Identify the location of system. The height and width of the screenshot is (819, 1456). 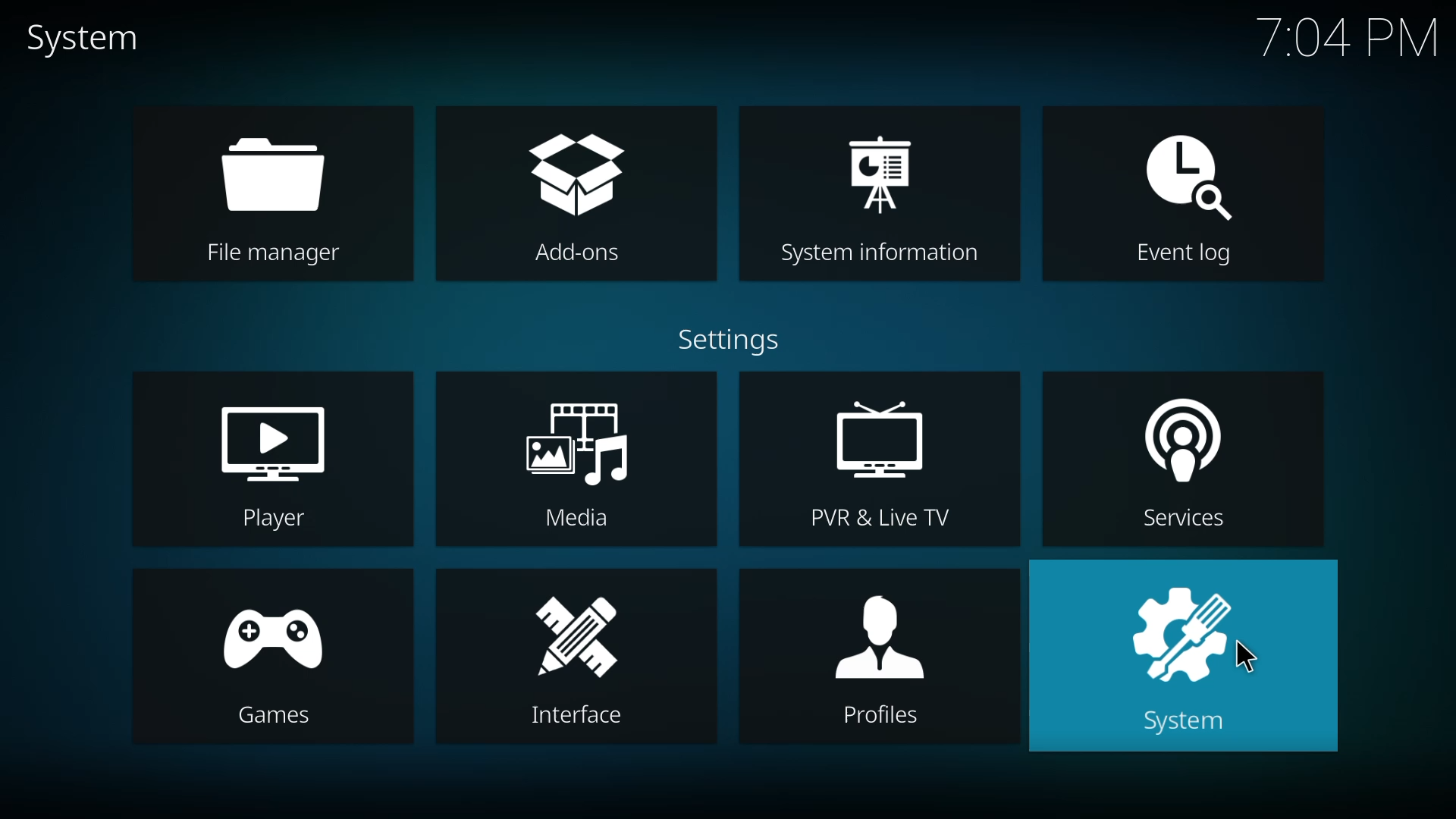
(1180, 657).